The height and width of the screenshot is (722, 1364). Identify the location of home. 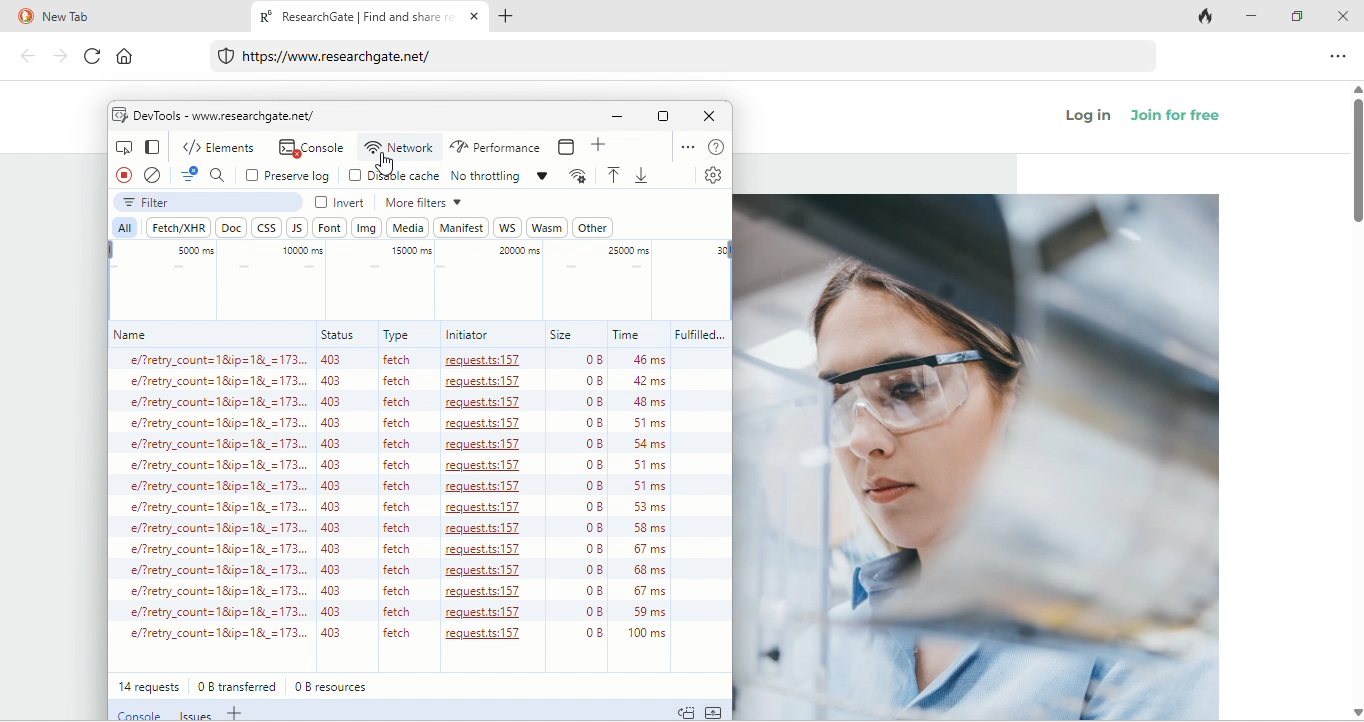
(134, 59).